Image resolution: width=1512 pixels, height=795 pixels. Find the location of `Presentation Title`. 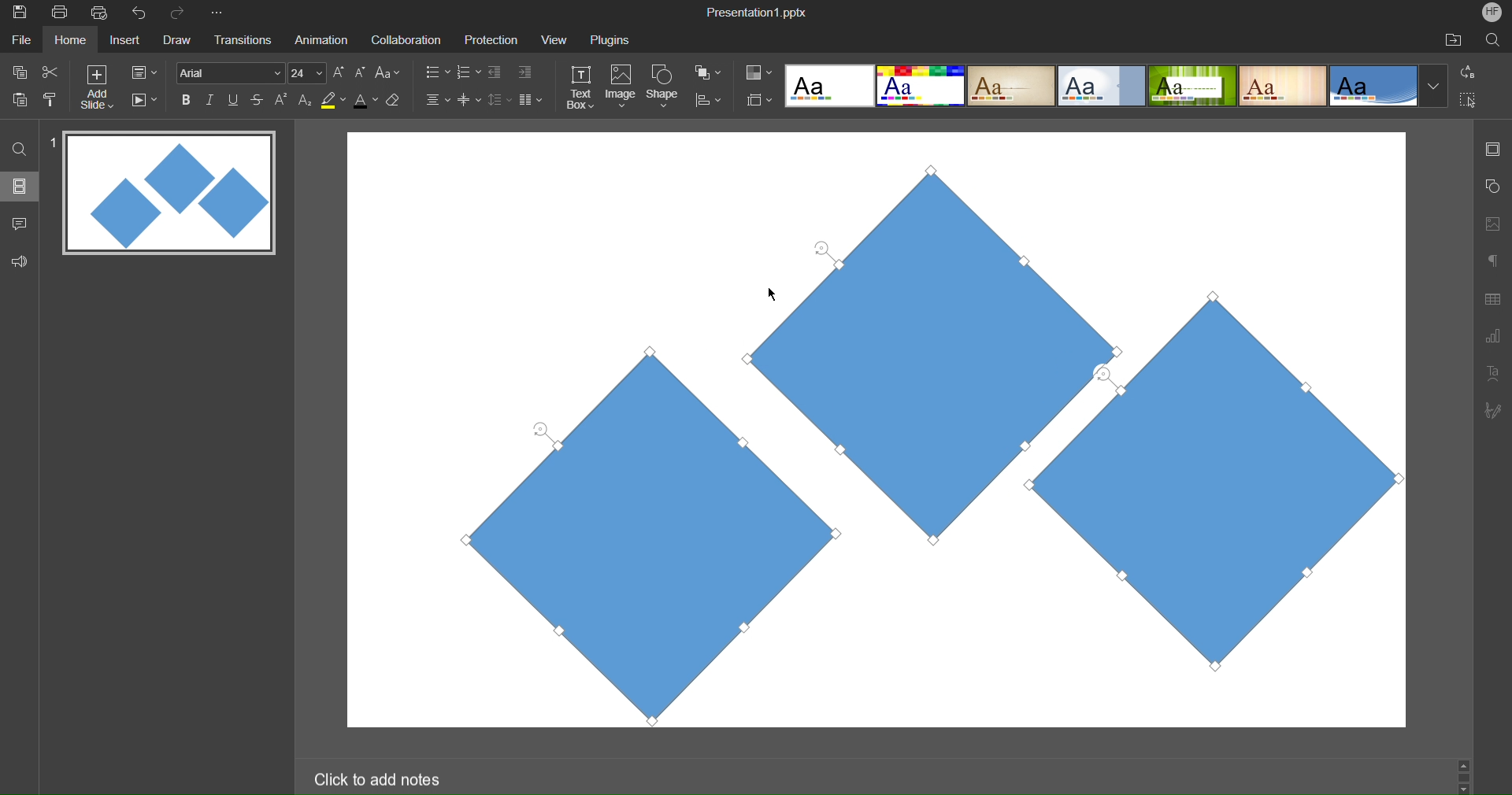

Presentation Title is located at coordinates (759, 11).